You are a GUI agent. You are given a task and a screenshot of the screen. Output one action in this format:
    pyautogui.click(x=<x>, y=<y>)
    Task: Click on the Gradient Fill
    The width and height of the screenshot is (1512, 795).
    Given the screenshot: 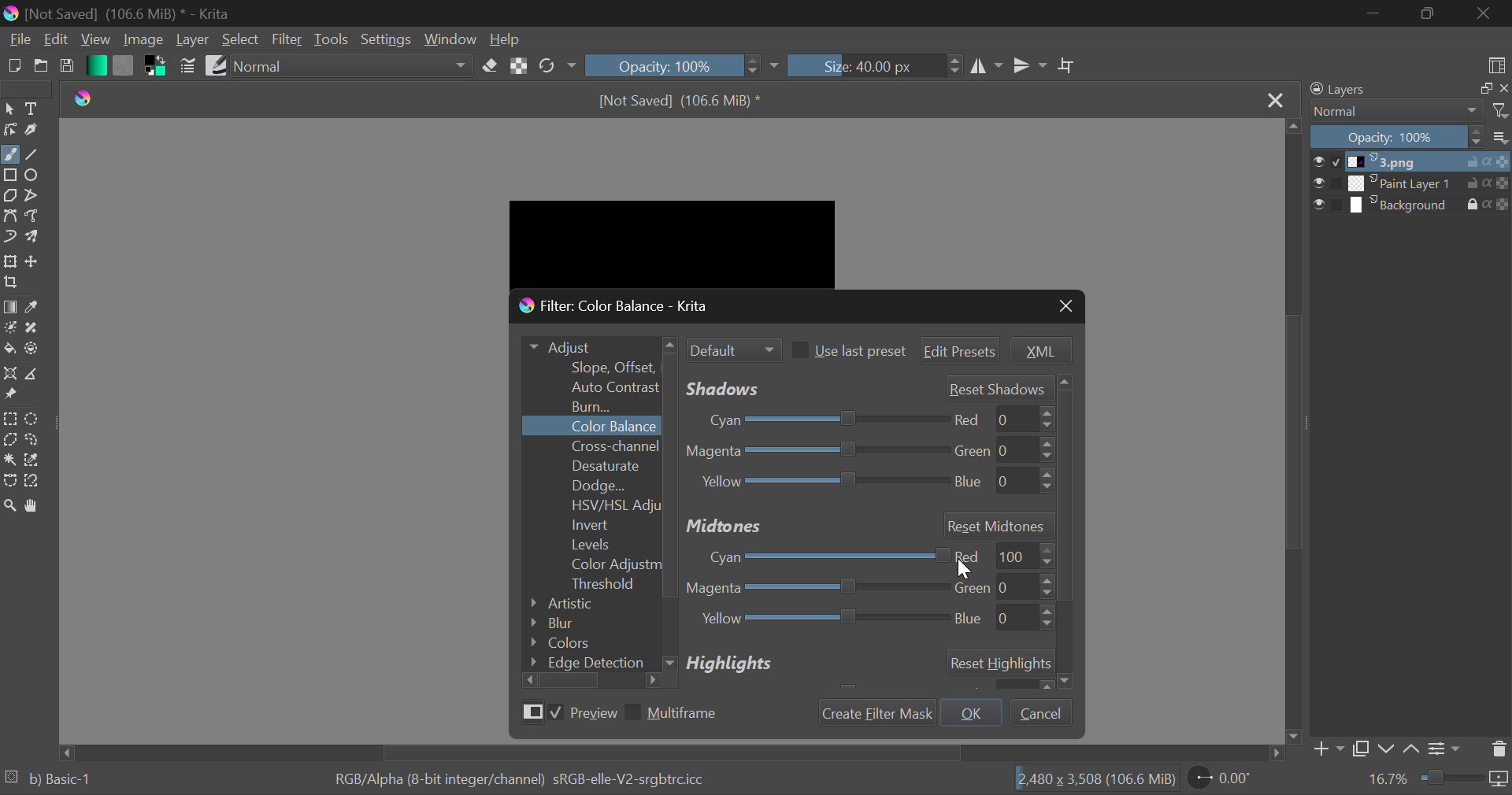 What is the action you would take?
    pyautogui.click(x=10, y=307)
    